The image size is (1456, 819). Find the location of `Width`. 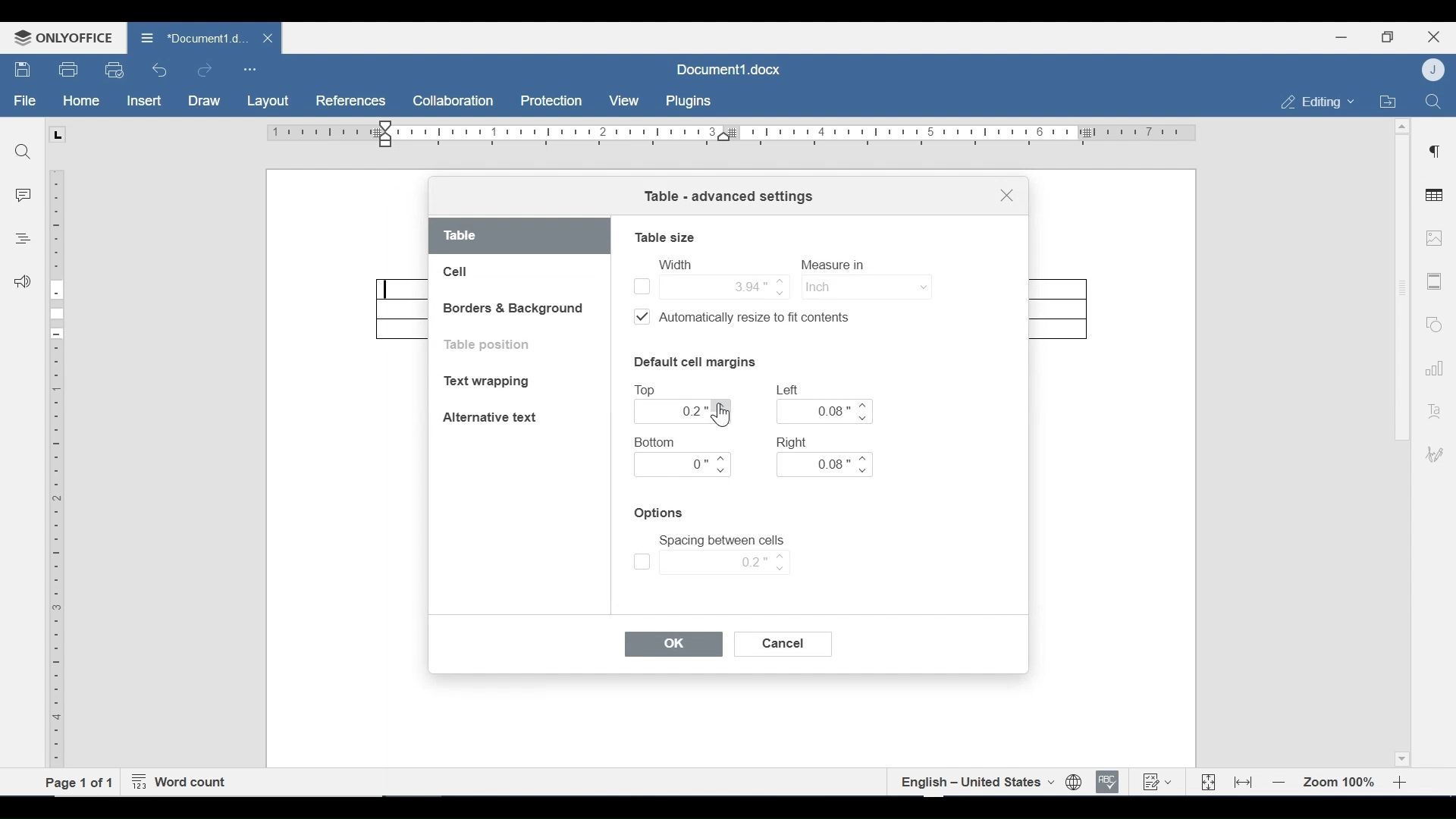

Width is located at coordinates (674, 264).